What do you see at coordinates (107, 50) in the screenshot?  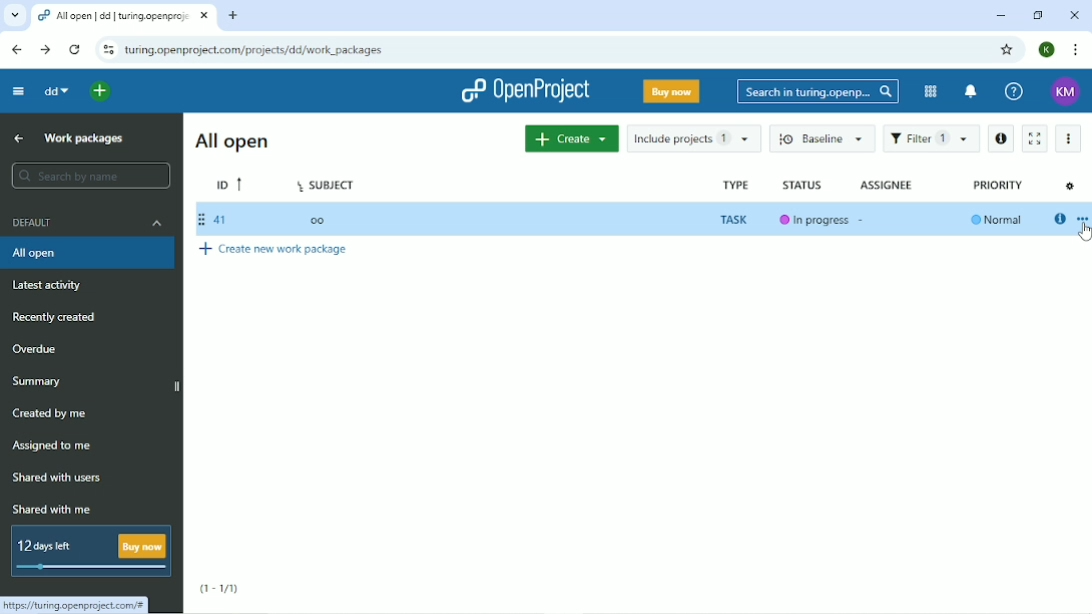 I see `View site information` at bounding box center [107, 50].